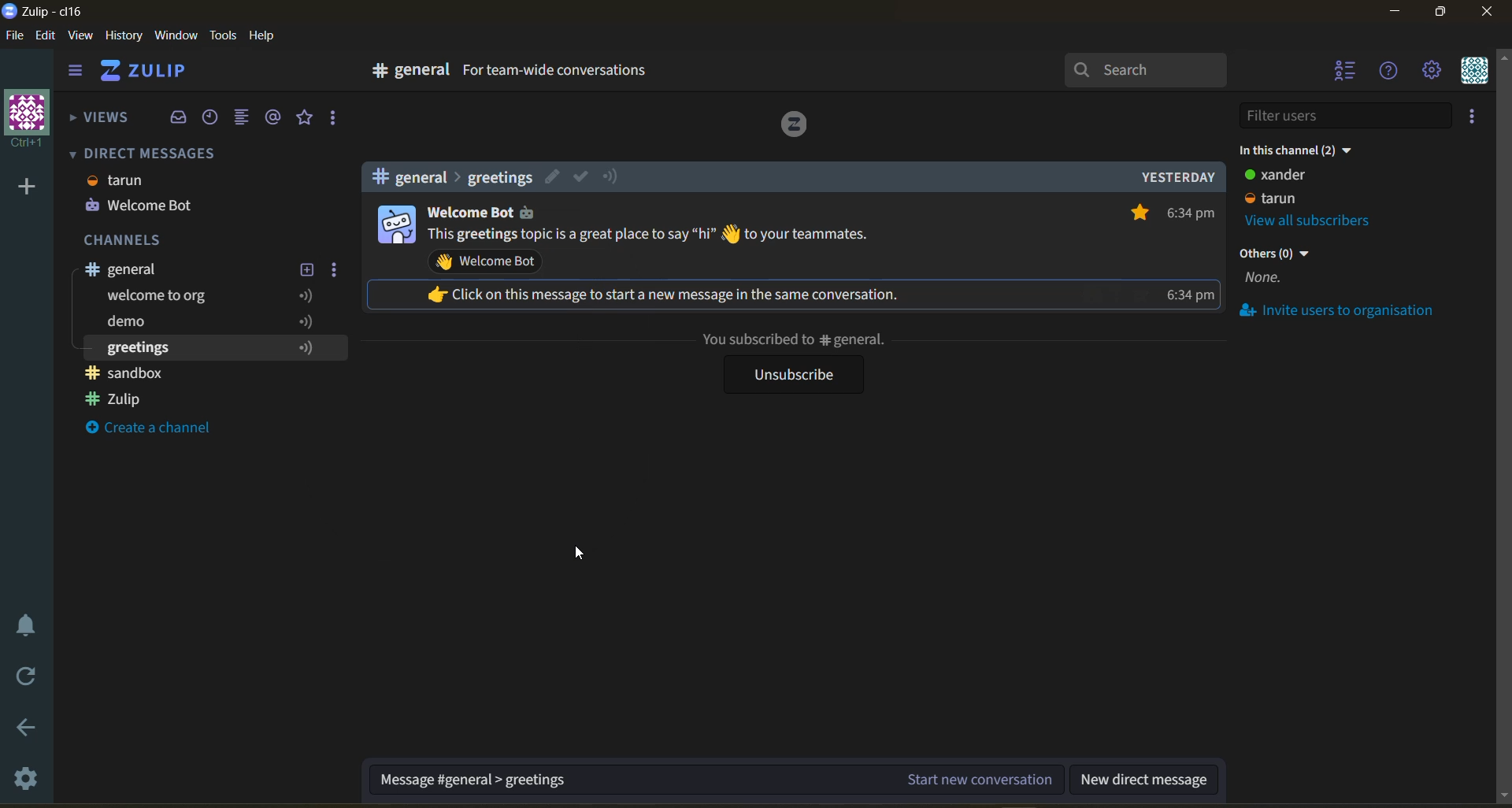 The image size is (1512, 808). Describe the element at coordinates (178, 36) in the screenshot. I see `window` at that location.